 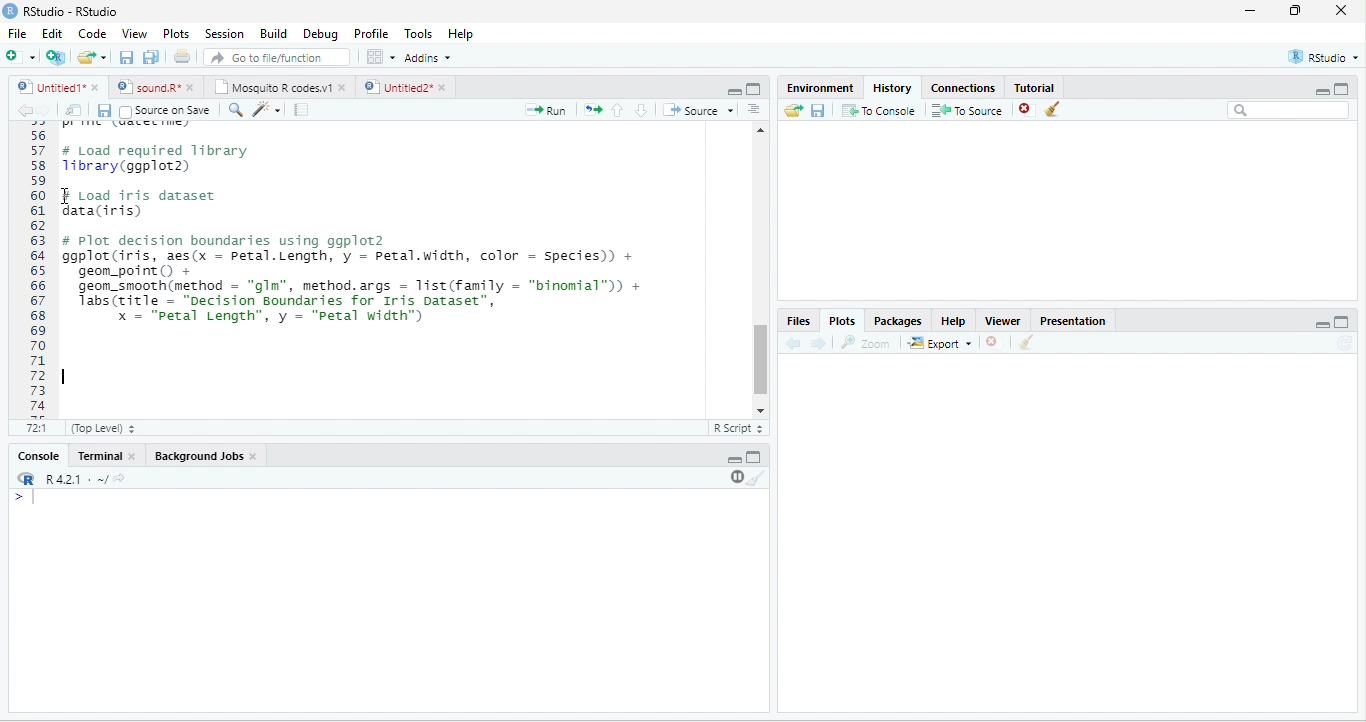 I want to click on clear, so click(x=757, y=478).